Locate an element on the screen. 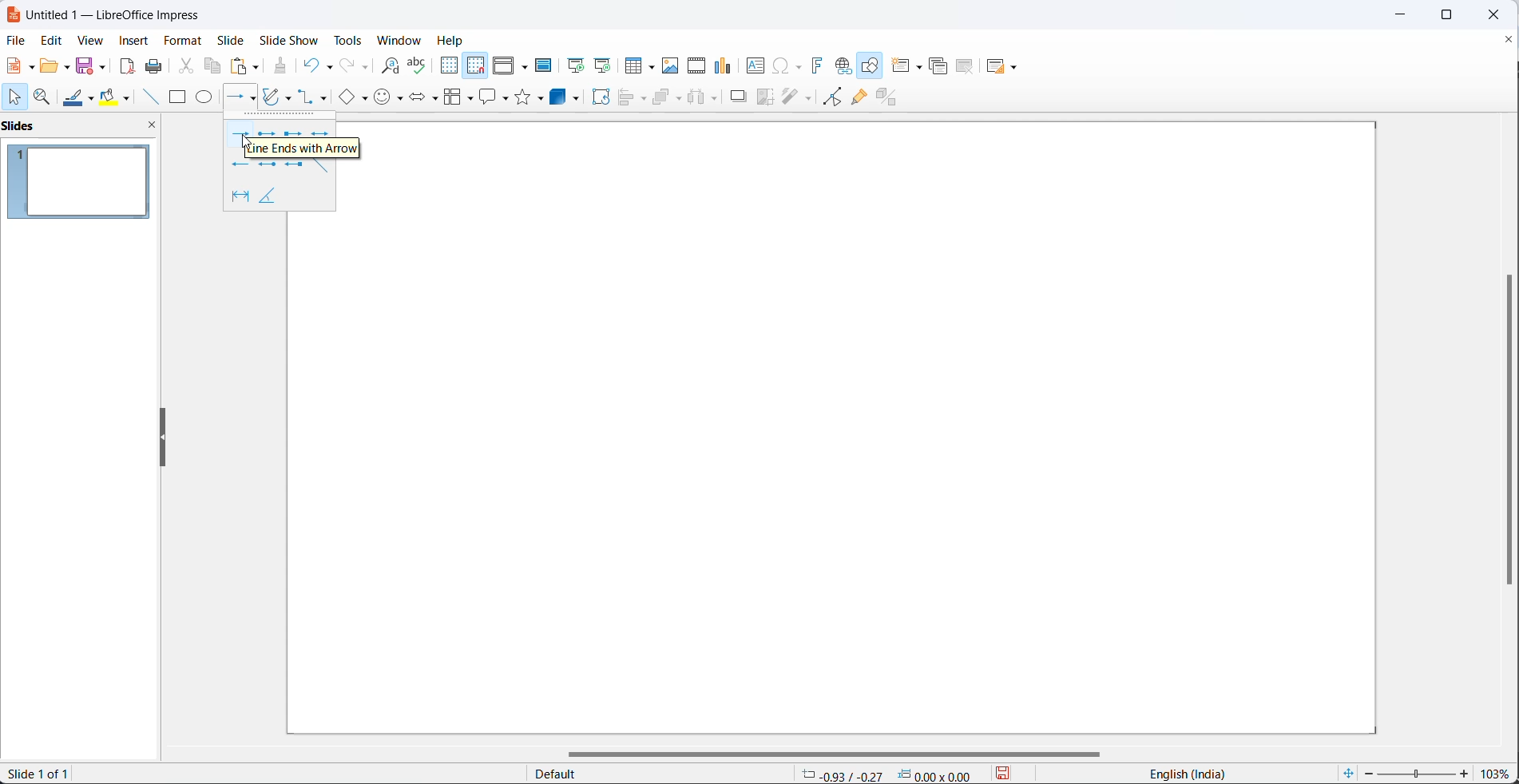  basic shapes is located at coordinates (351, 98).